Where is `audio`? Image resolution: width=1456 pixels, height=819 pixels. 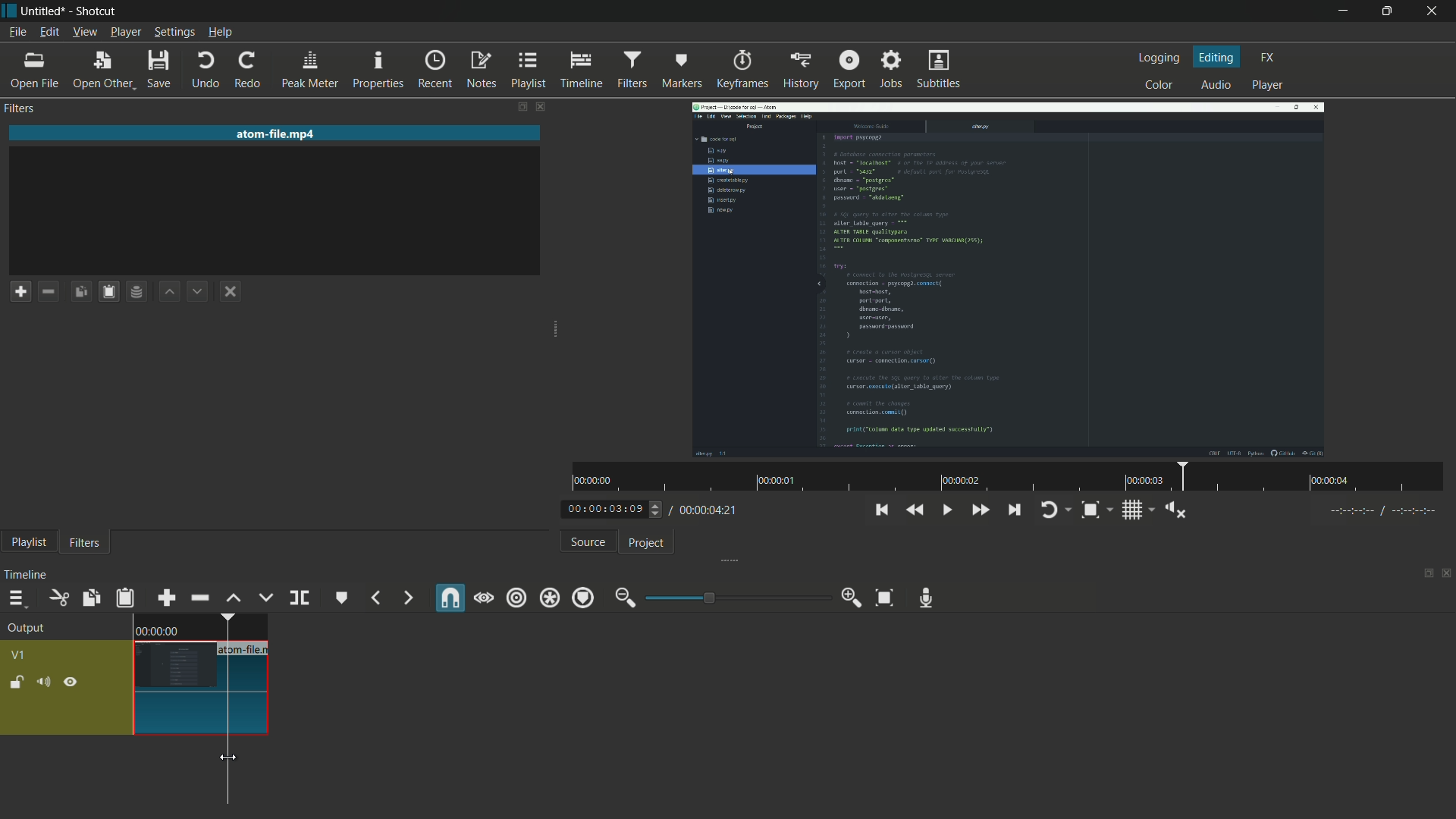 audio is located at coordinates (1217, 84).